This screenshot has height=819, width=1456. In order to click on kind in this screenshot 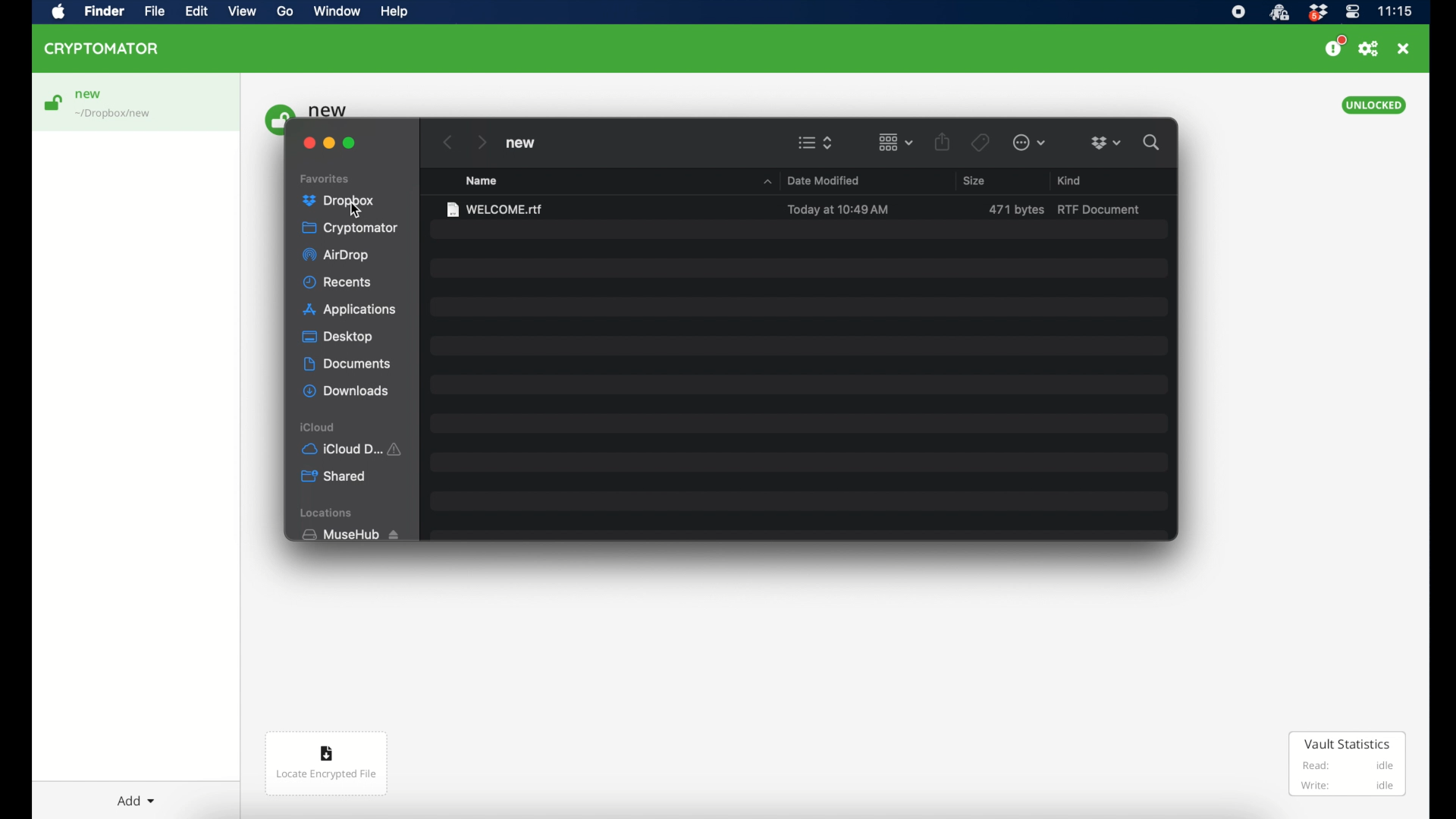, I will do `click(1070, 180)`.